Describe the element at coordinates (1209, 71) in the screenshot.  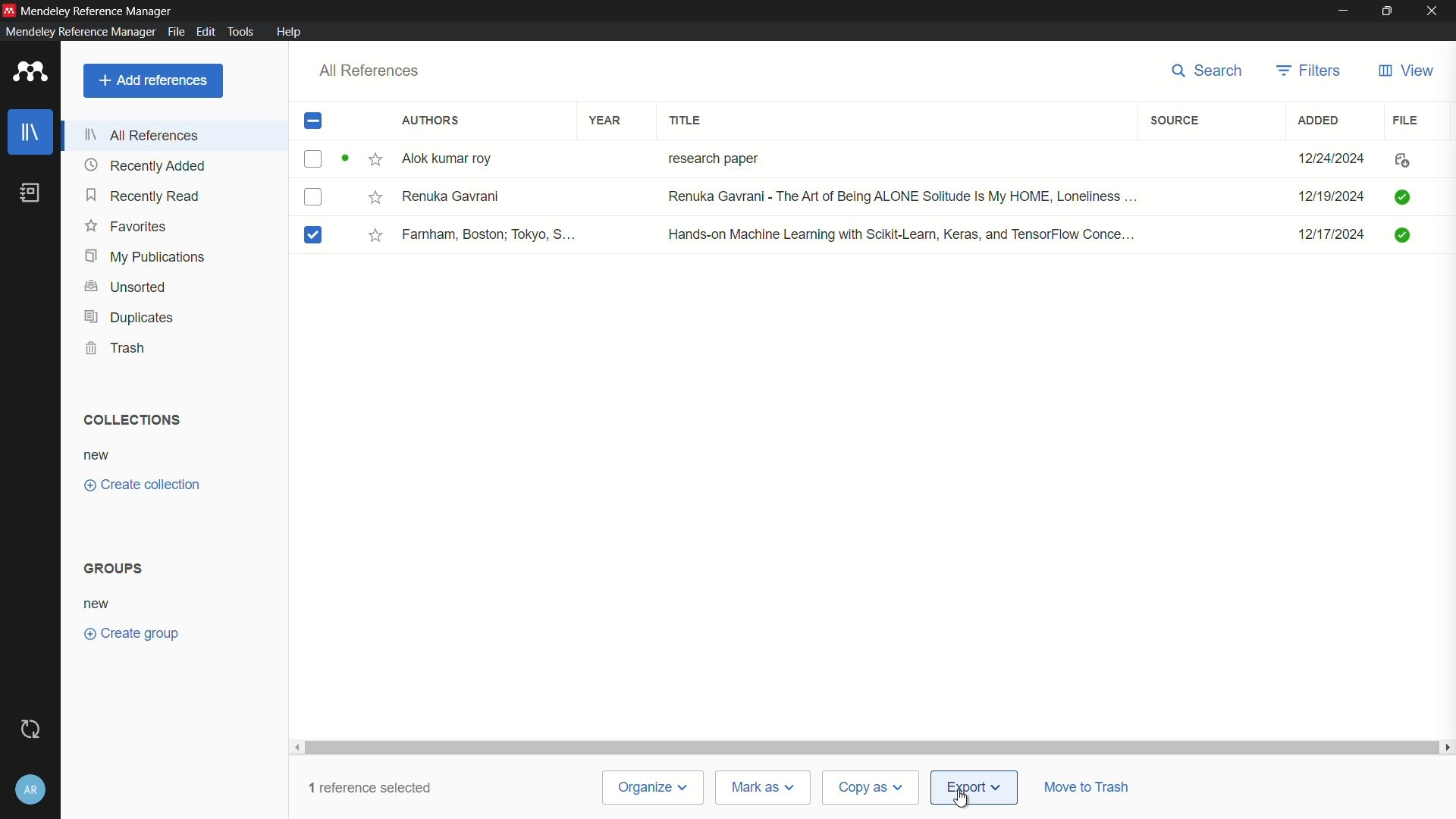
I see `search` at that location.